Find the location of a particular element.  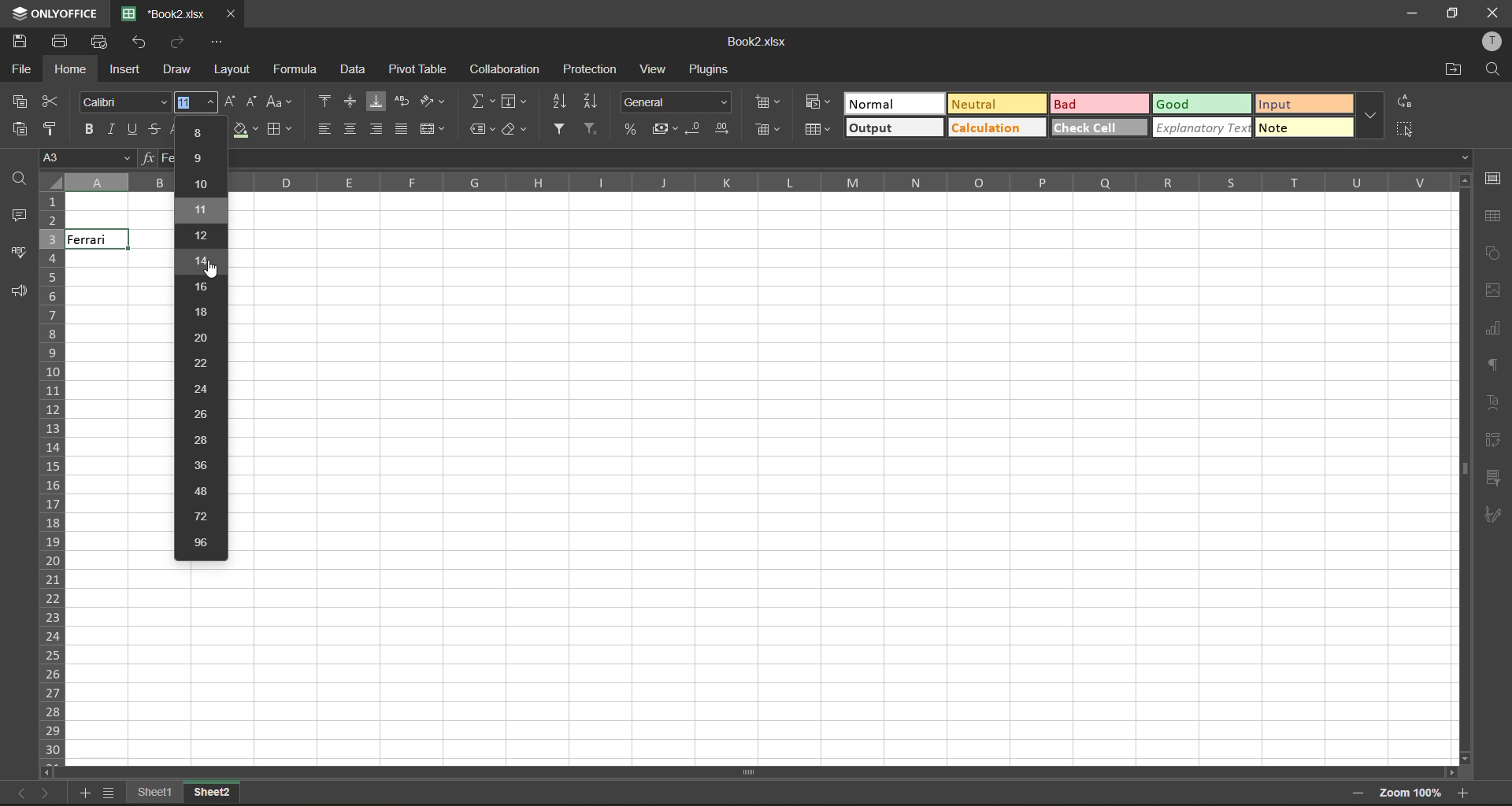

align middle is located at coordinates (354, 101).